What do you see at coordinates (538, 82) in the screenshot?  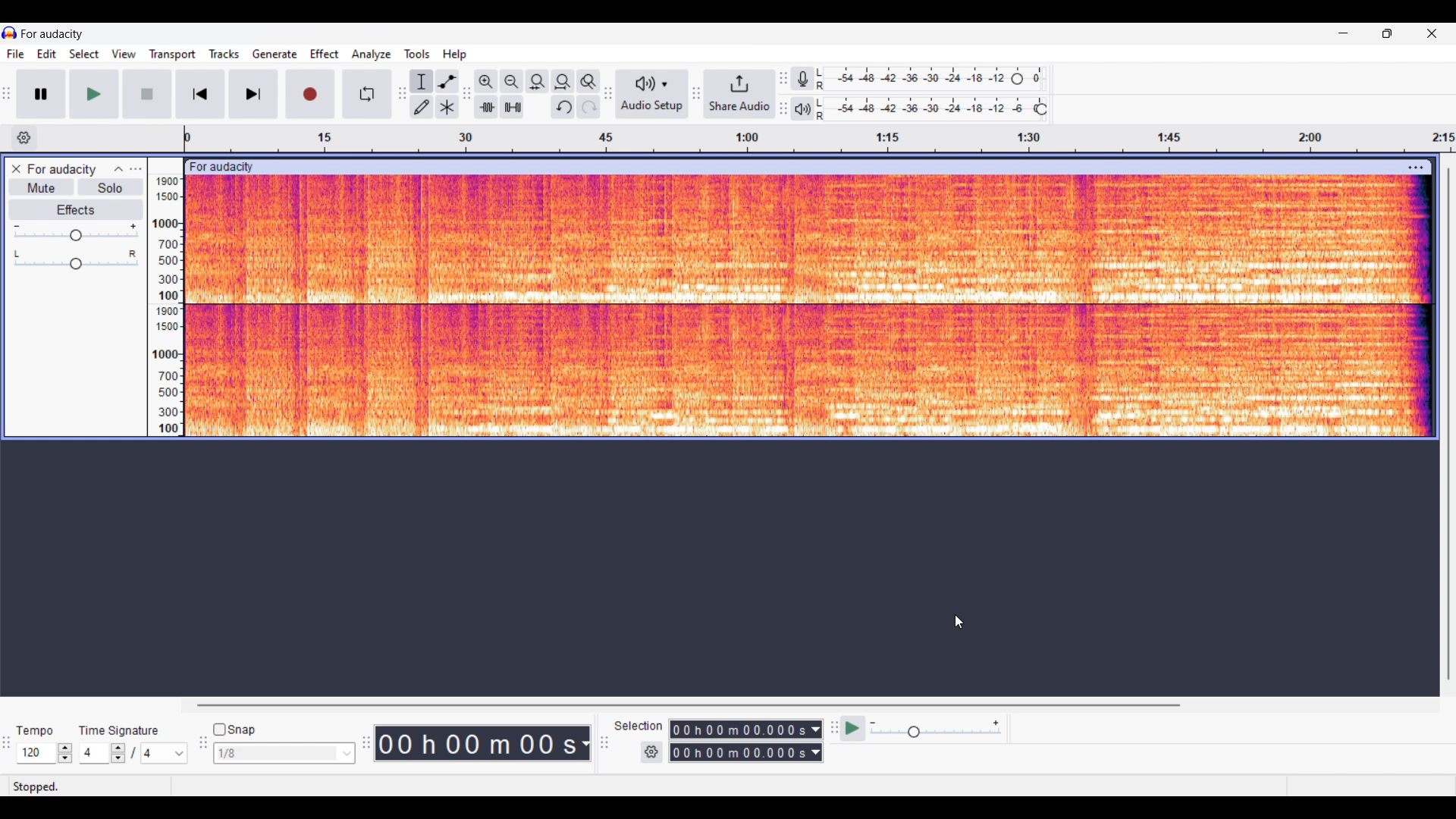 I see `Fit selection to width` at bounding box center [538, 82].